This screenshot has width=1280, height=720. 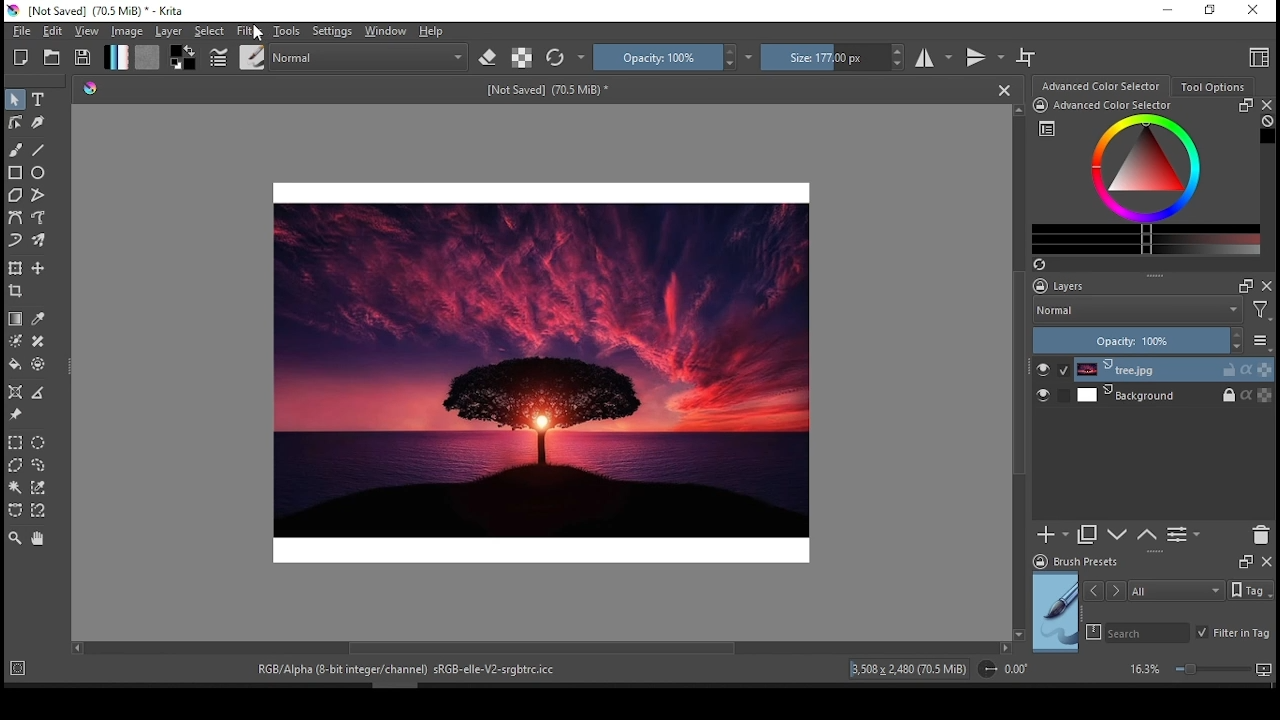 What do you see at coordinates (112, 11) in the screenshot?
I see `icon and file name` at bounding box center [112, 11].